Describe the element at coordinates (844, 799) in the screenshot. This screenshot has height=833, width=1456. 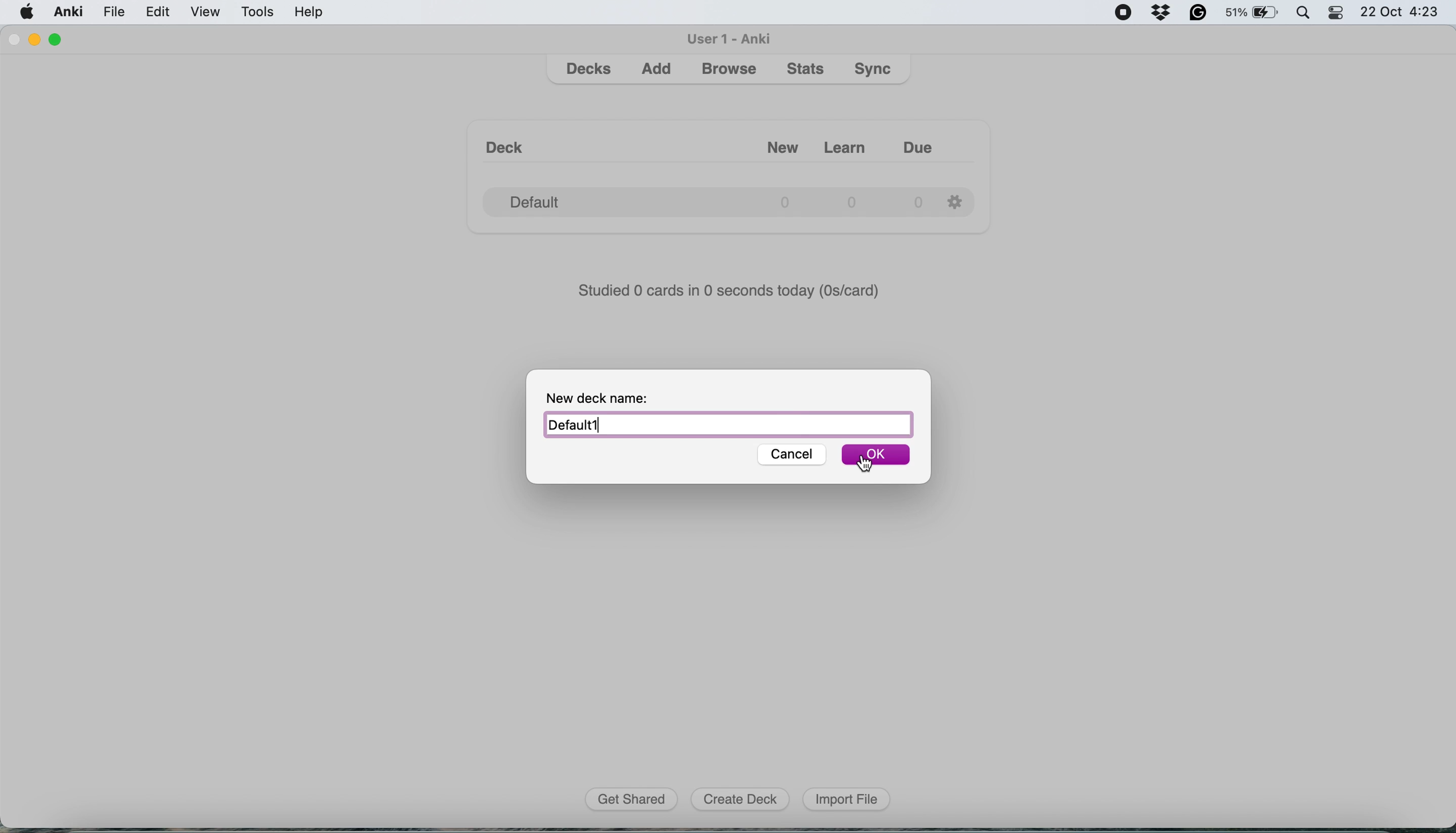
I see `import file` at that location.